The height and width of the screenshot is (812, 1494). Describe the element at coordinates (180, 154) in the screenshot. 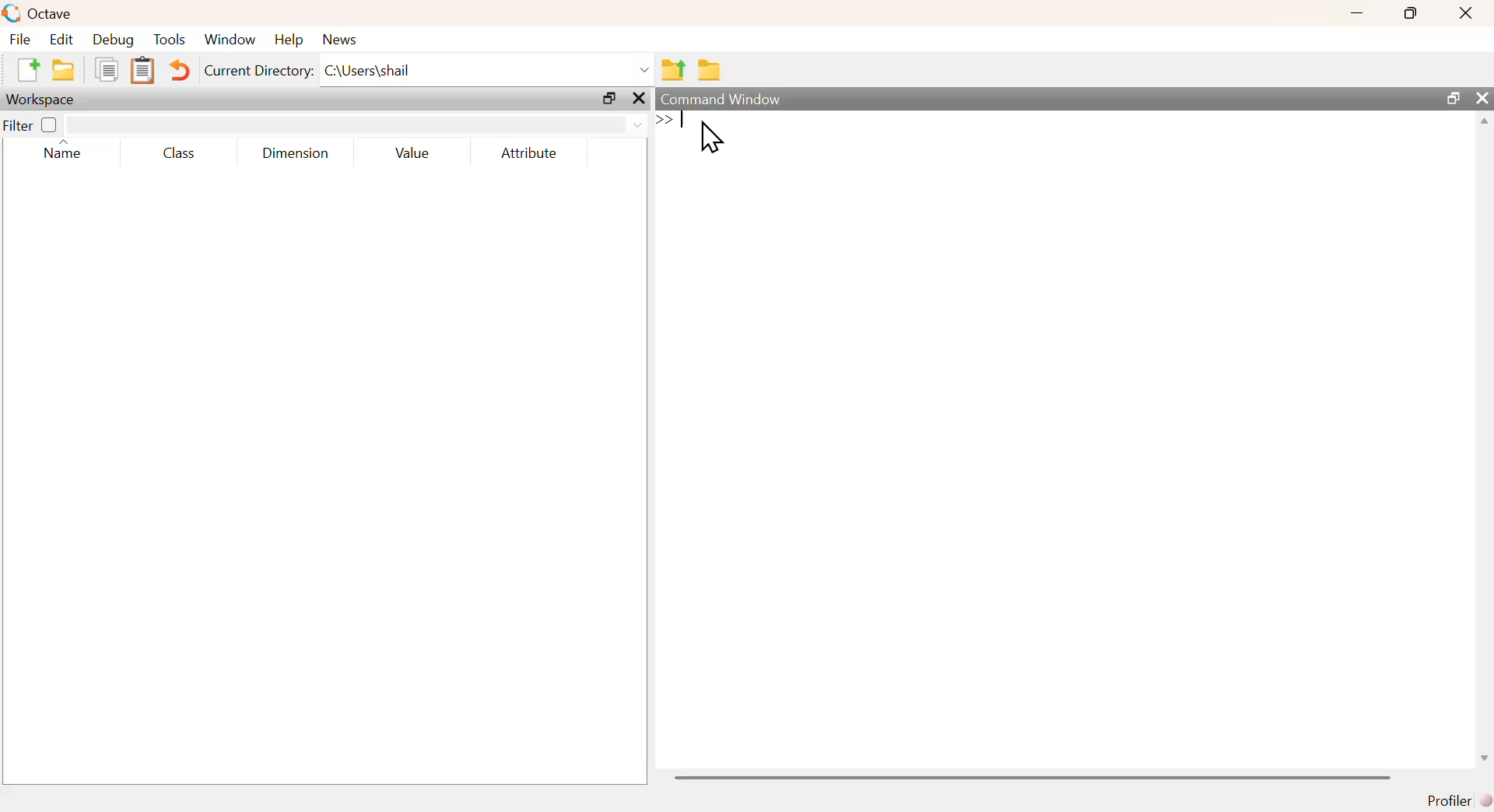

I see `class` at that location.